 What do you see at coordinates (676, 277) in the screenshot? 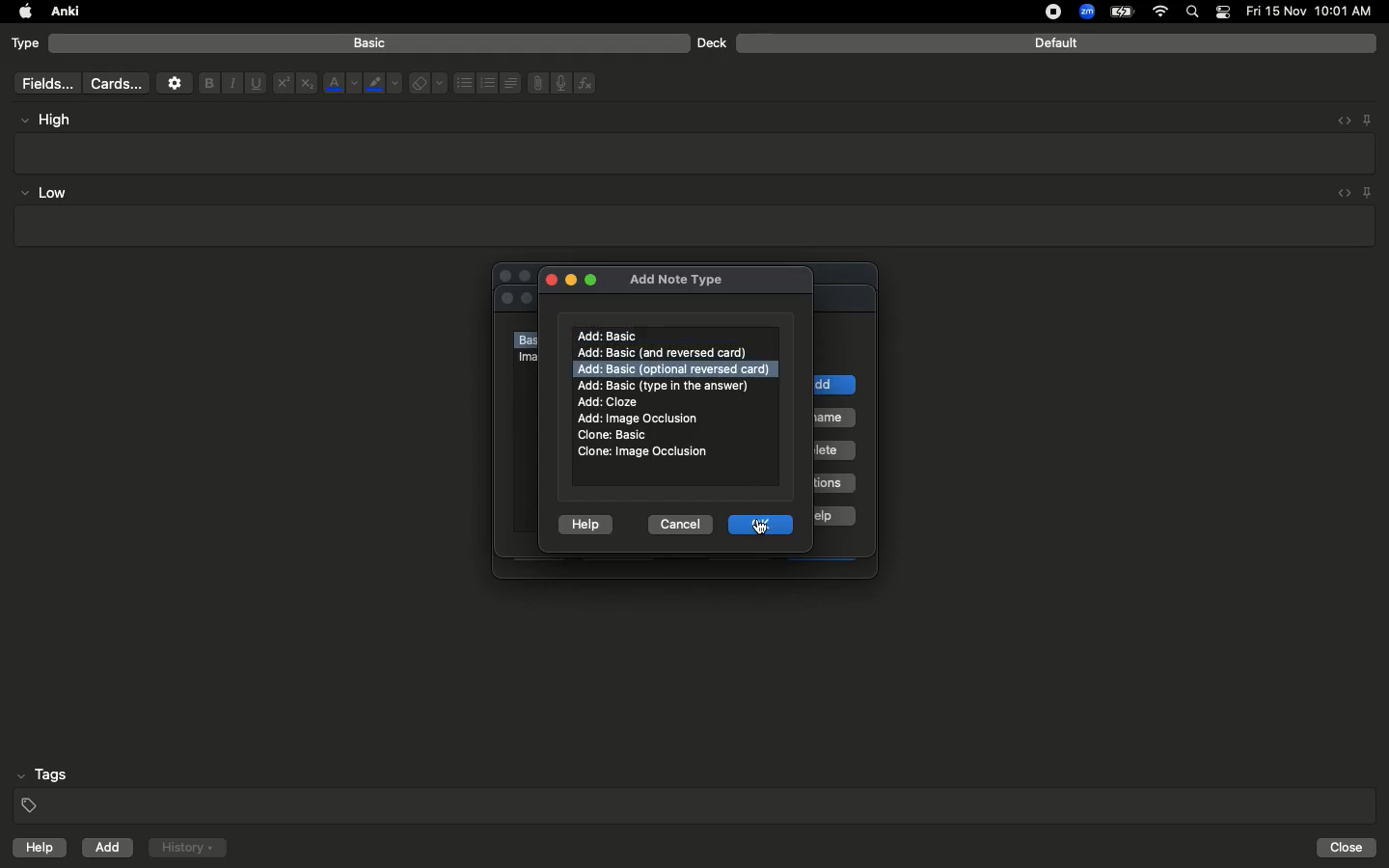
I see `Add note type` at bounding box center [676, 277].